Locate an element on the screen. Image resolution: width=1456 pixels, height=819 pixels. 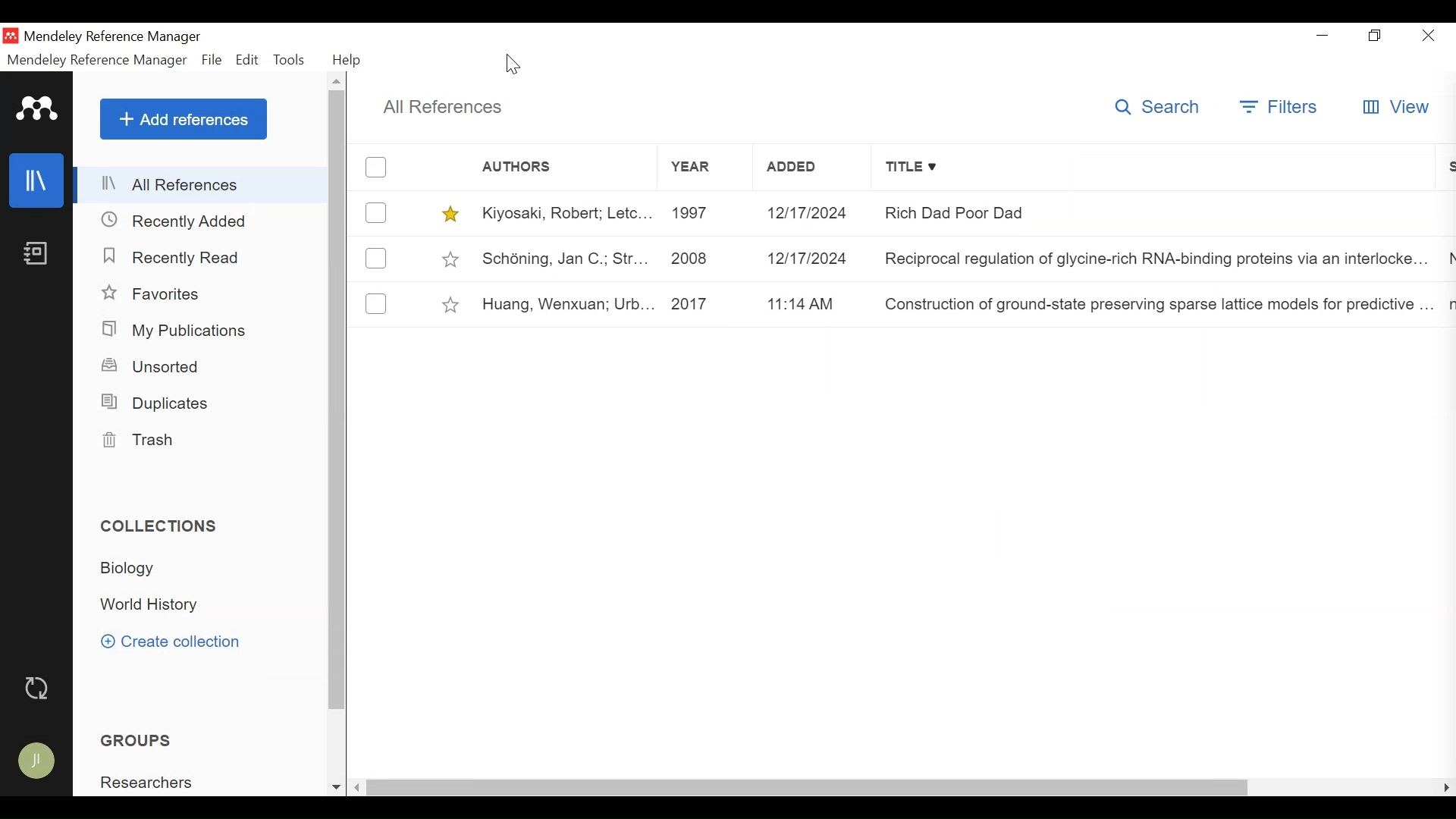
Duplicates is located at coordinates (160, 403).